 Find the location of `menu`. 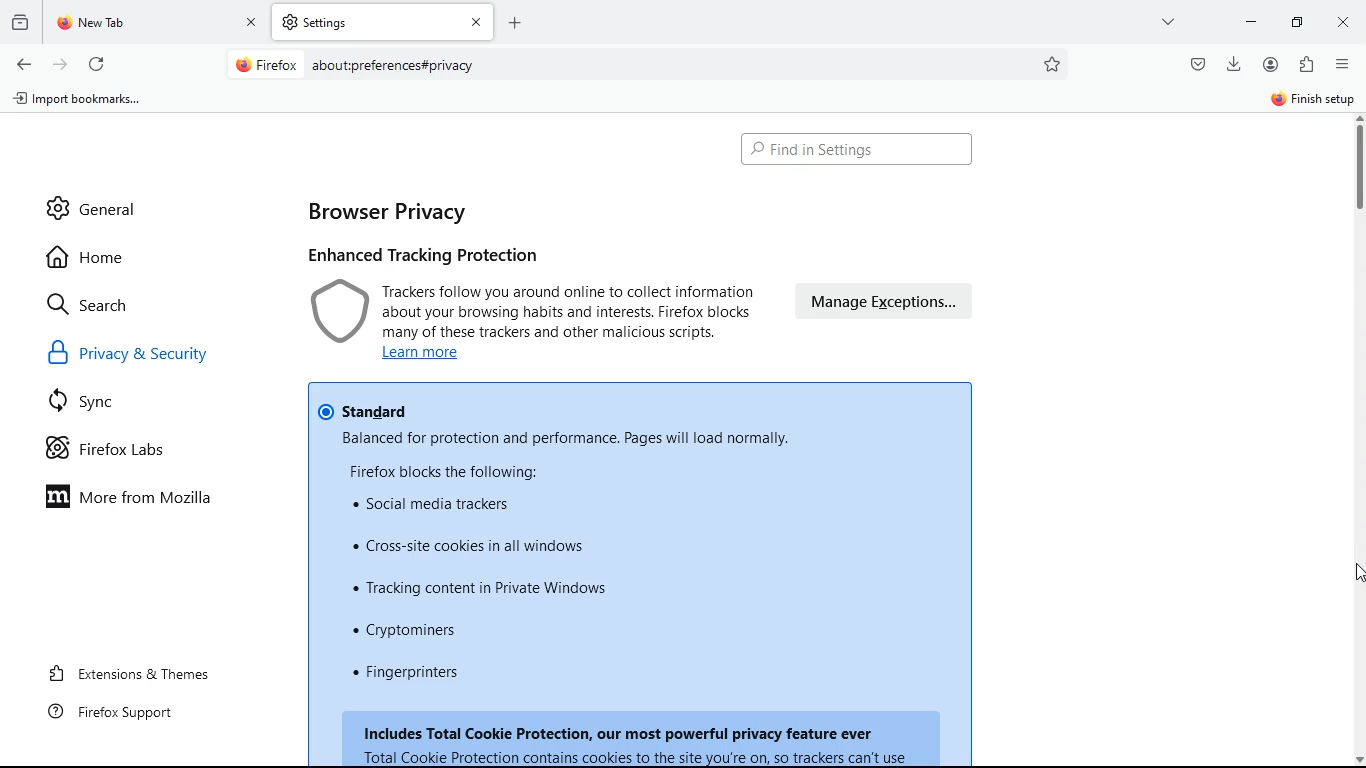

menu is located at coordinates (1343, 64).